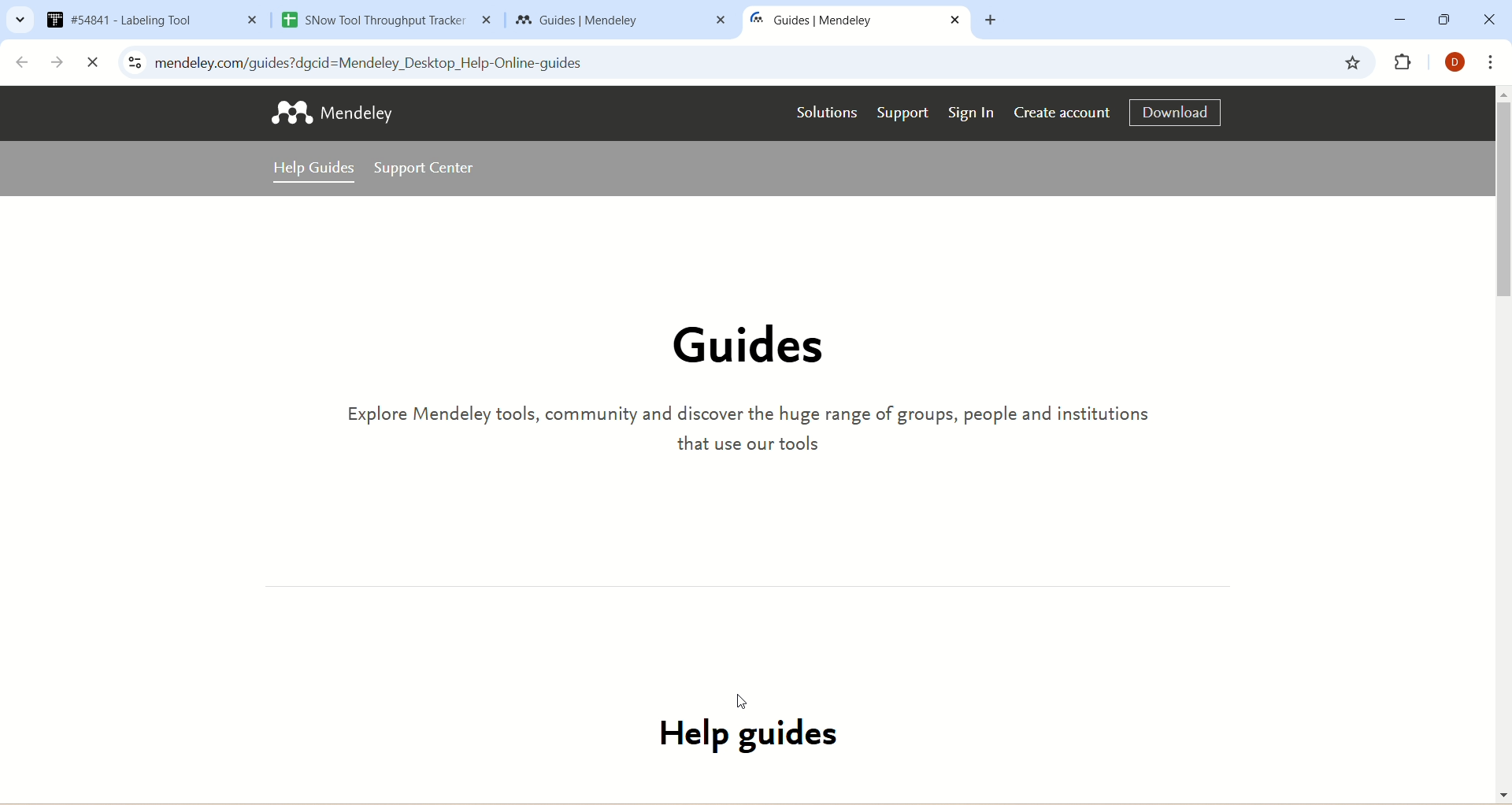 Image resolution: width=1512 pixels, height=805 pixels. What do you see at coordinates (995, 21) in the screenshot?
I see `new tab` at bounding box center [995, 21].